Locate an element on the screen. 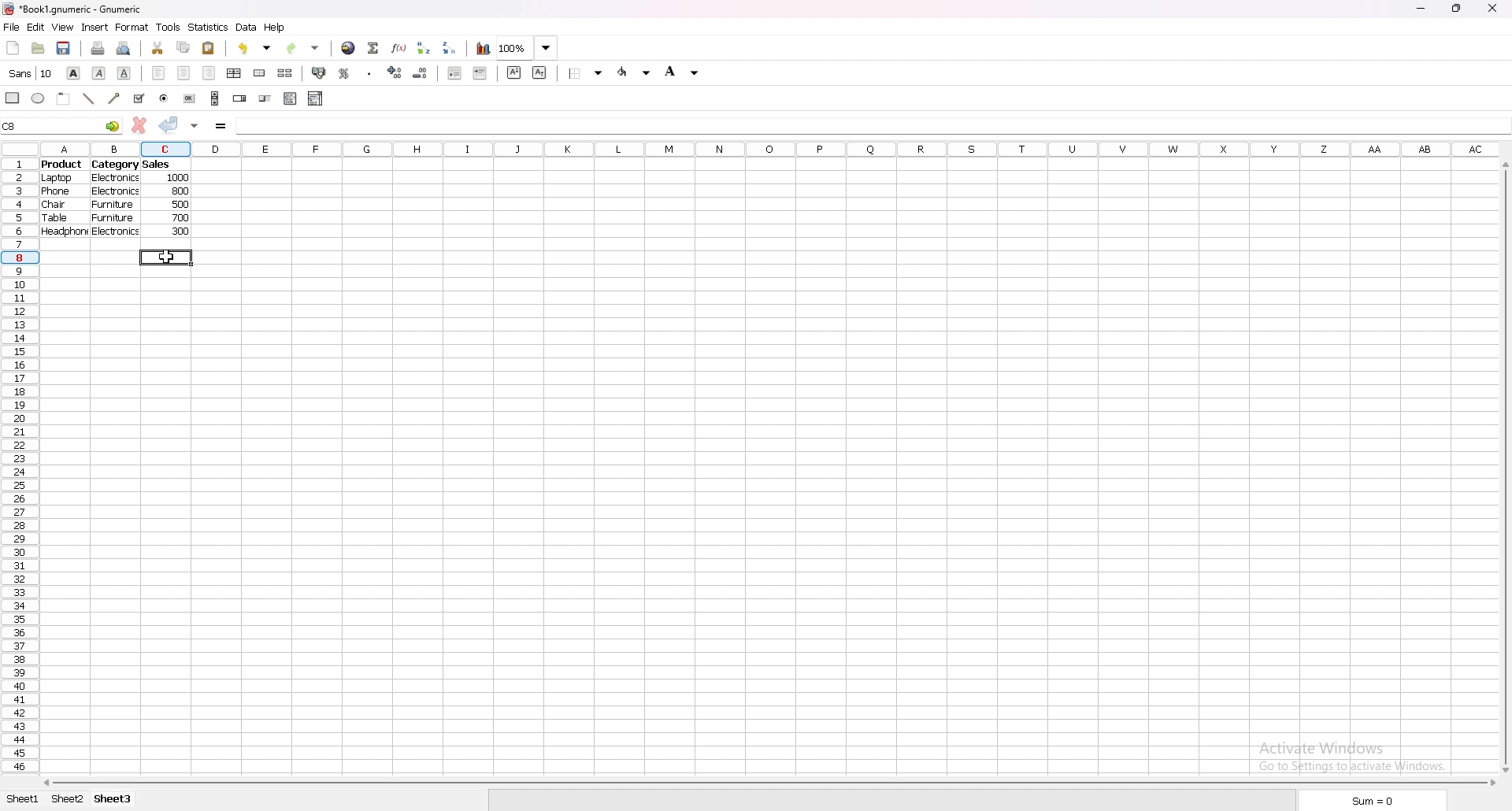 Image resolution: width=1512 pixels, height=811 pixels. hyperlink is located at coordinates (350, 48).